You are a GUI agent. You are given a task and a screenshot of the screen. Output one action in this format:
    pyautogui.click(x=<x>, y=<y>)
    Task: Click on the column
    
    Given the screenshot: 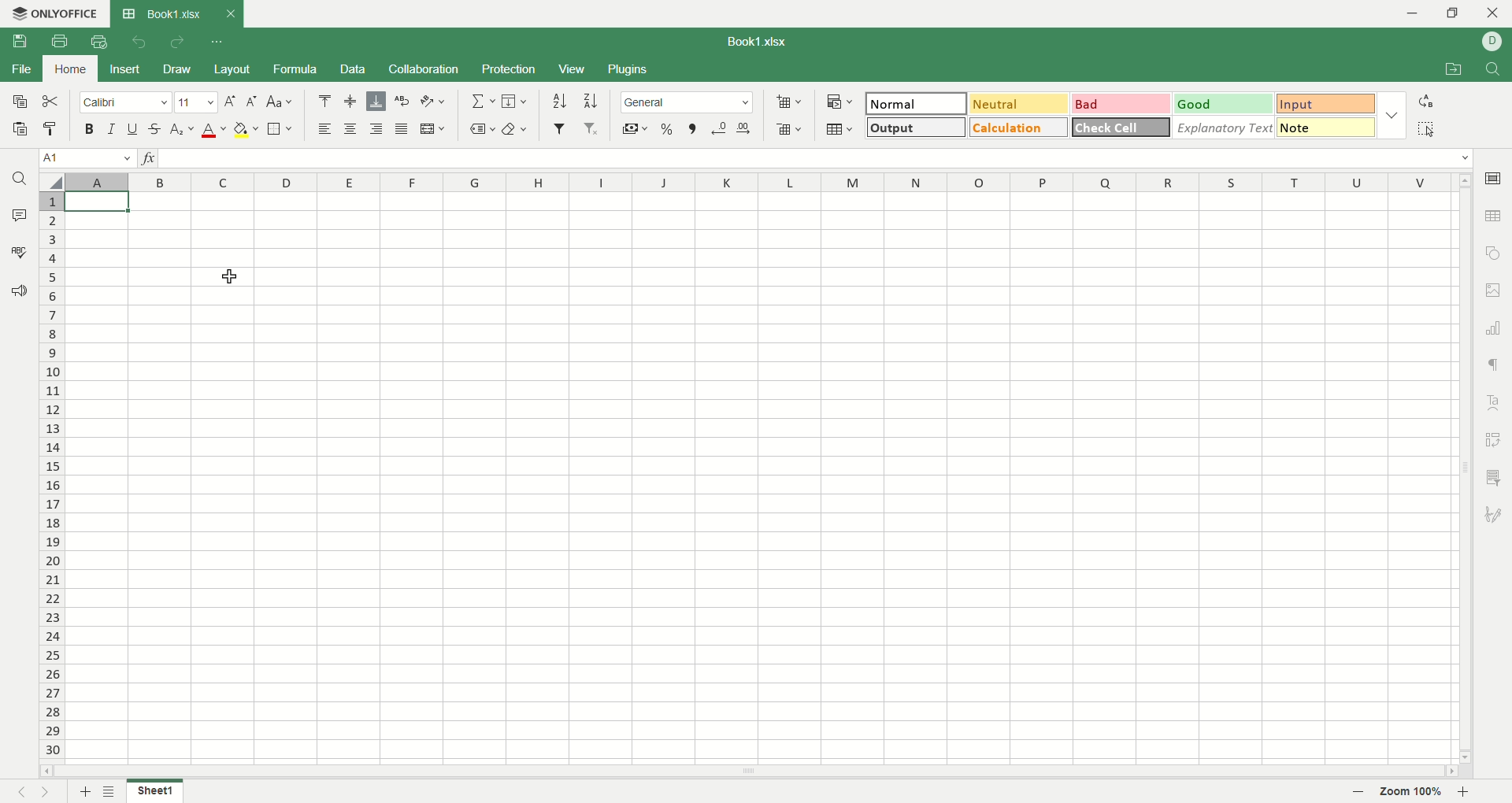 What is the action you would take?
    pyautogui.click(x=759, y=183)
    